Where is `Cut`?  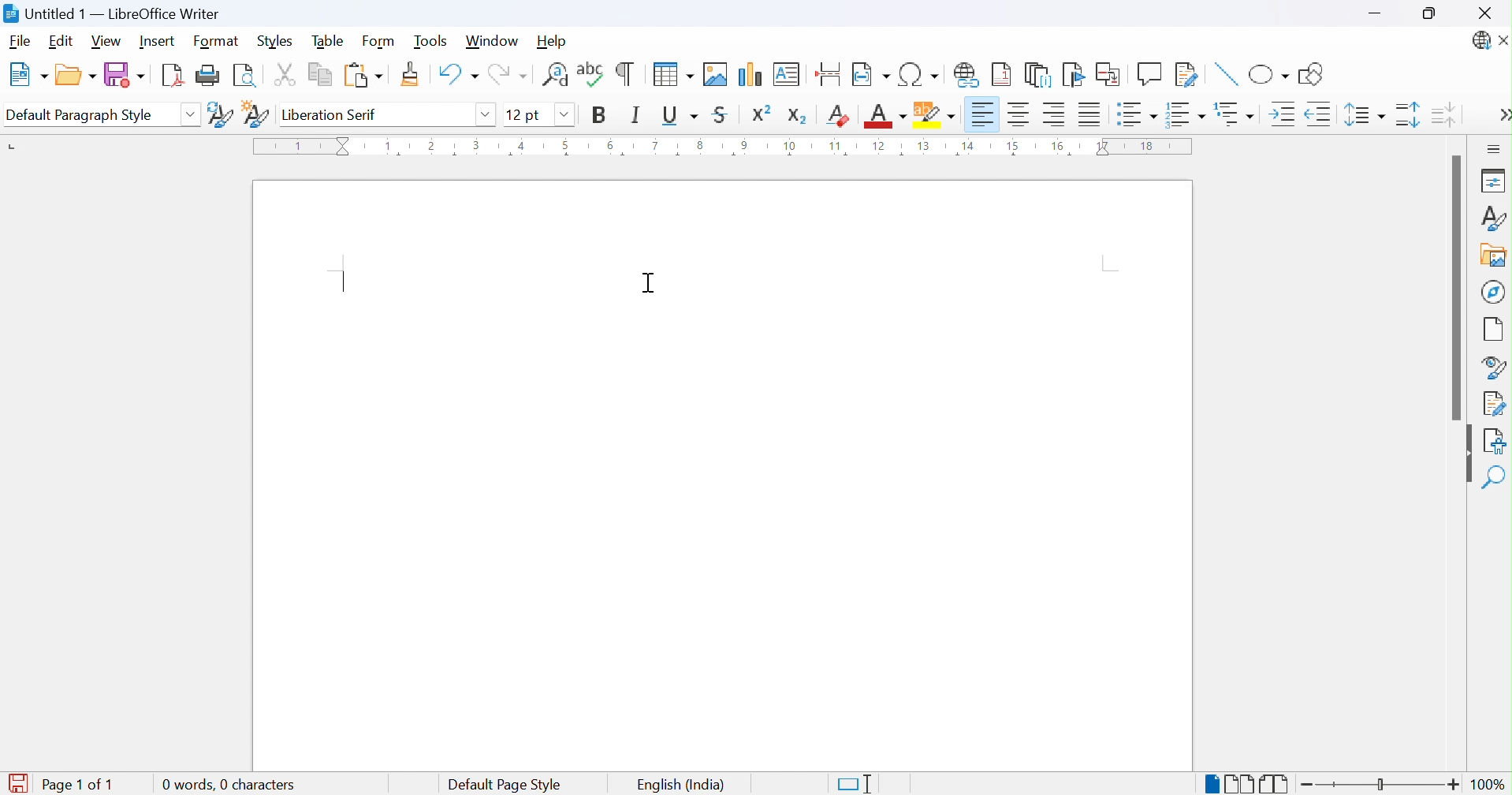 Cut is located at coordinates (285, 73).